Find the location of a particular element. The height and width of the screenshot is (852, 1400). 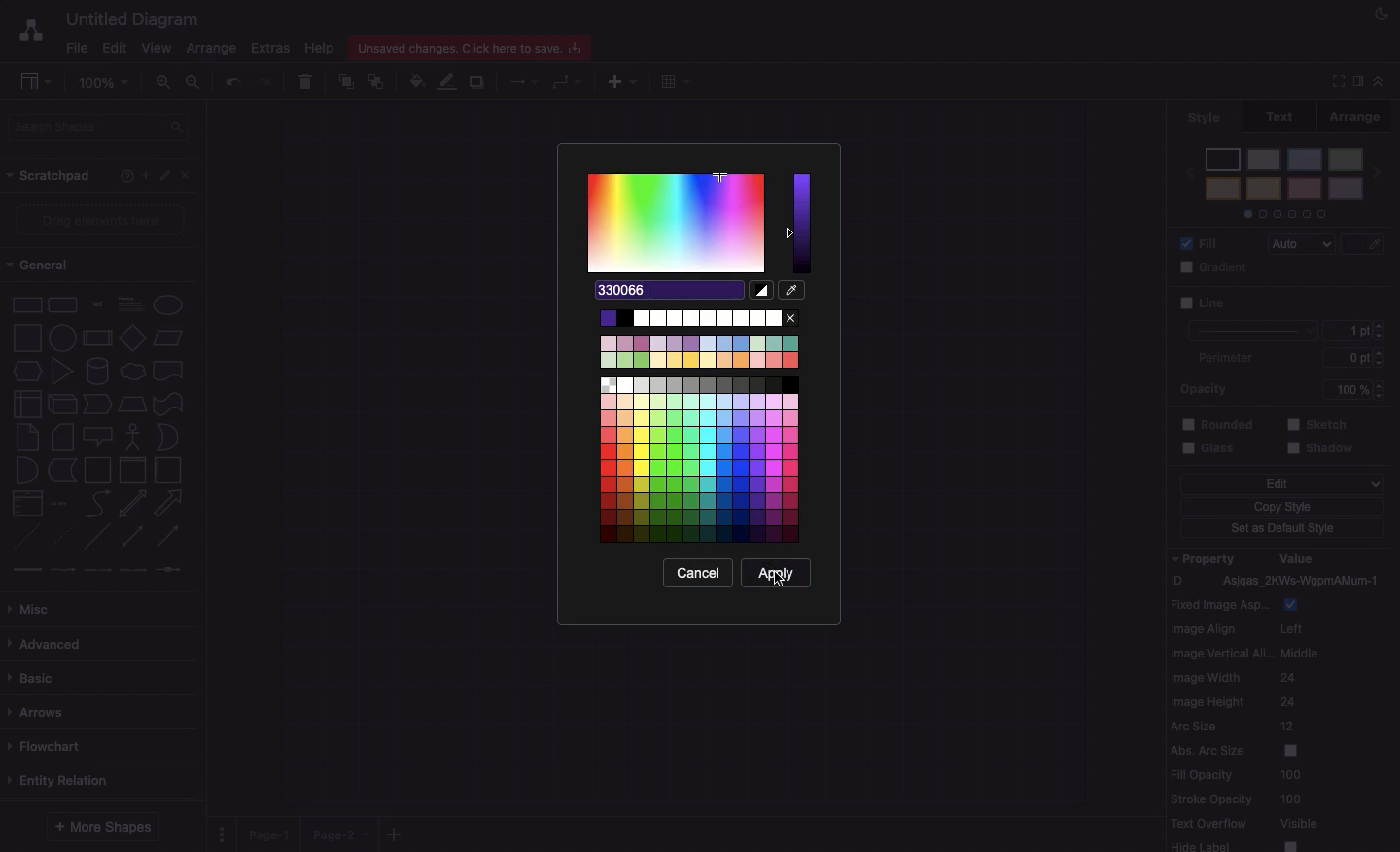

callout is located at coordinates (96, 437).